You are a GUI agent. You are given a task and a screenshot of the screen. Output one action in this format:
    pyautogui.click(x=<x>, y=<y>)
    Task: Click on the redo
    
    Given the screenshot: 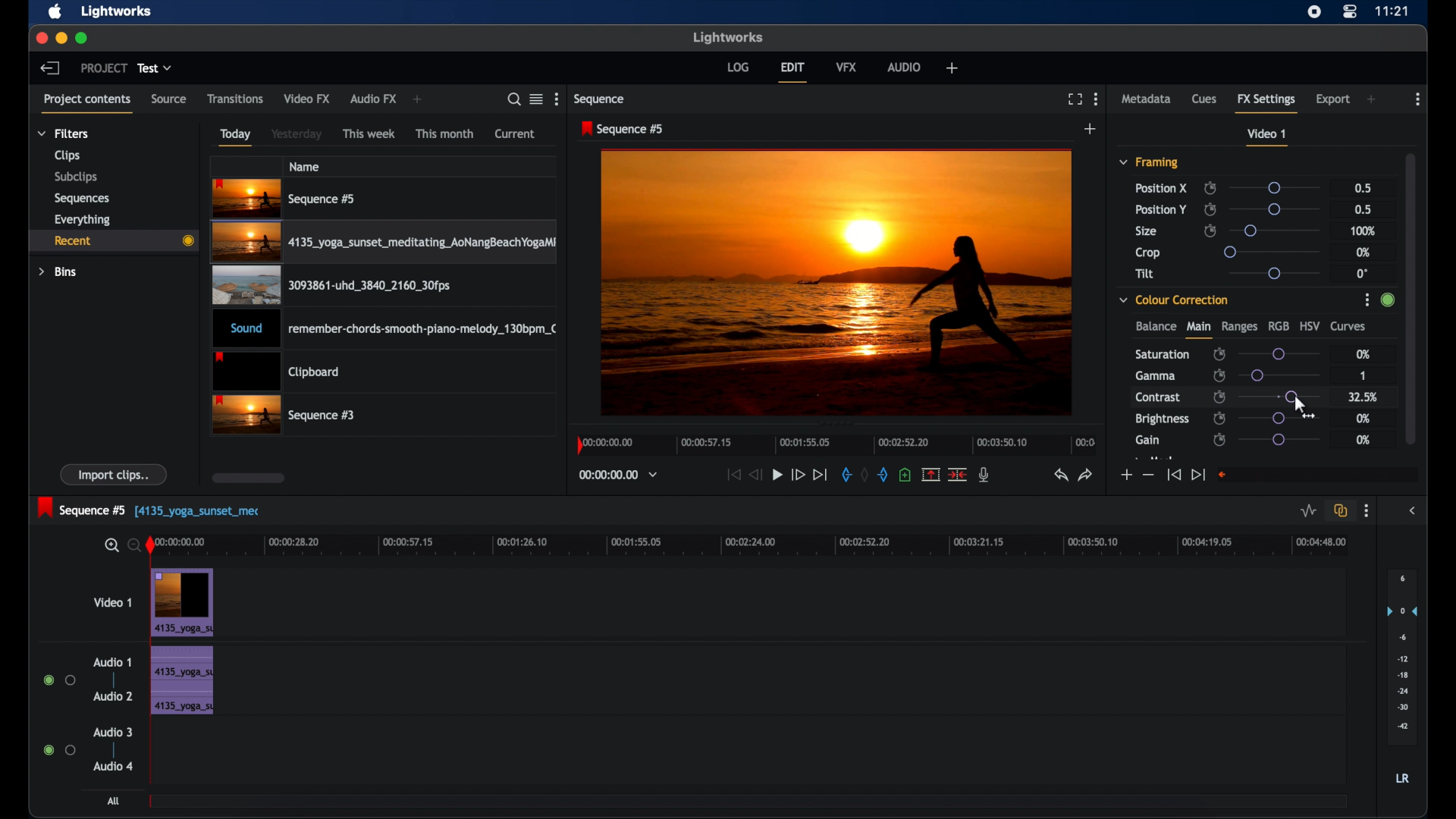 What is the action you would take?
    pyautogui.click(x=1087, y=475)
    